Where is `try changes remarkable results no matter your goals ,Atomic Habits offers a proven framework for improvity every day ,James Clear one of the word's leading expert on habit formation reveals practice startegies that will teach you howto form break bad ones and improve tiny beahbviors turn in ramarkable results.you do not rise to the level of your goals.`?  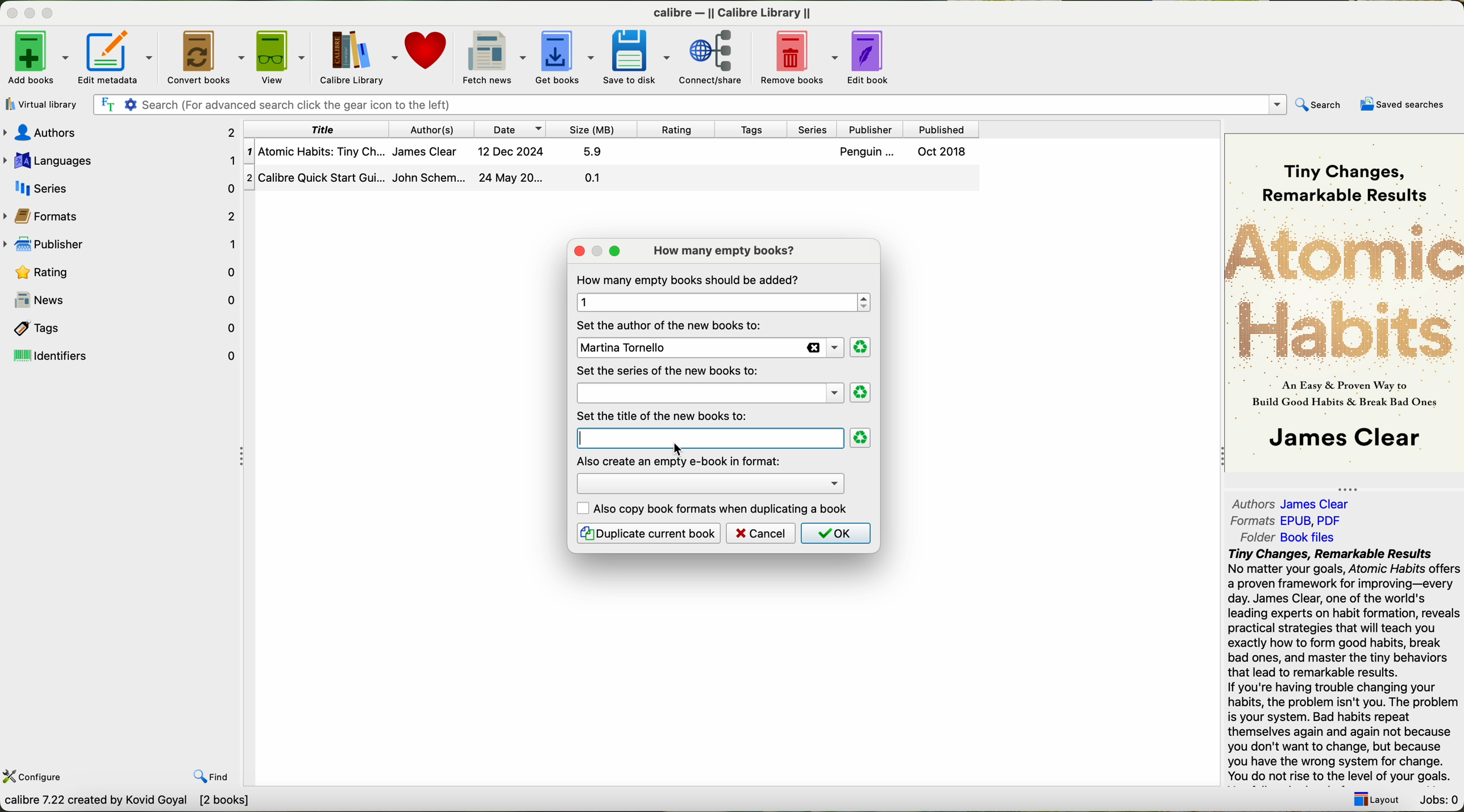
try changes remarkable results no matter your goals ,Atomic Habits offers a proven framework for improvity every day ,James Clear one of the word's leading expert on habit formation reveals practice startegies that will teach you howto form break bad ones and improve tiny beahbviors turn in ramarkable results.you do not rise to the level of your goals. is located at coordinates (1336, 666).